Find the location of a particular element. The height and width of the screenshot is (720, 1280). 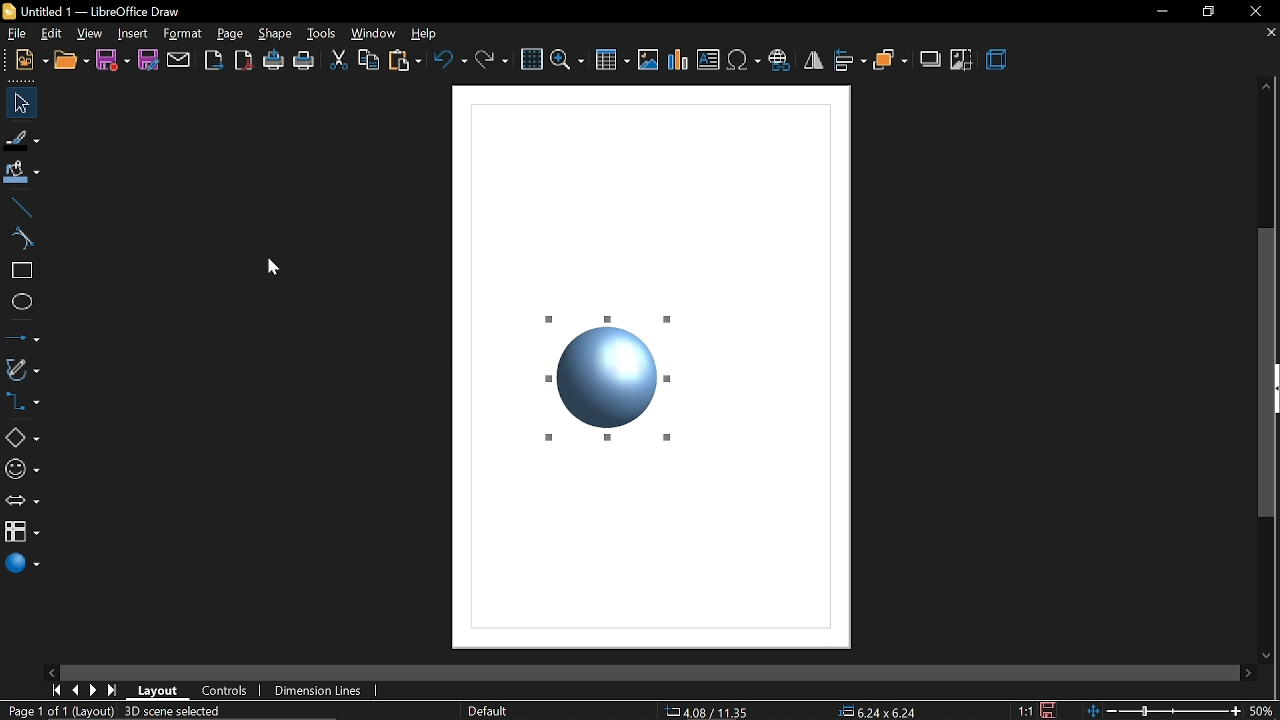

format is located at coordinates (183, 33).